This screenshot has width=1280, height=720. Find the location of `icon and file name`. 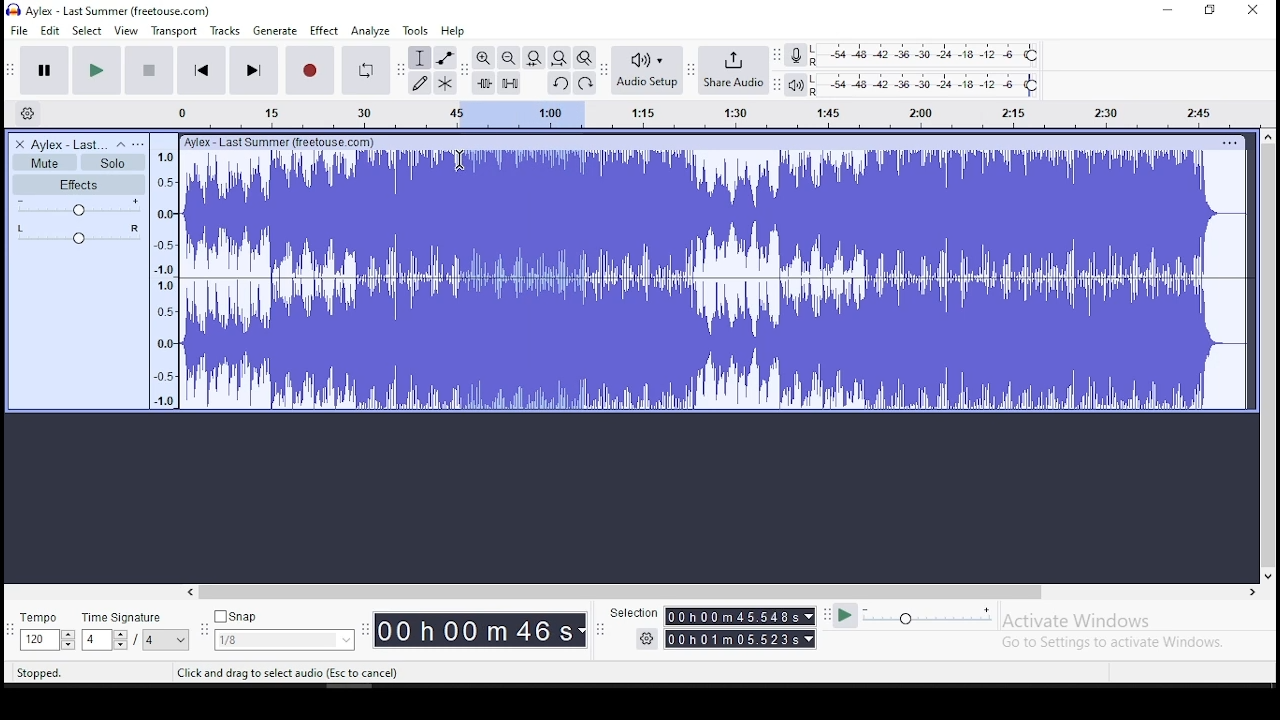

icon and file name is located at coordinates (110, 10).